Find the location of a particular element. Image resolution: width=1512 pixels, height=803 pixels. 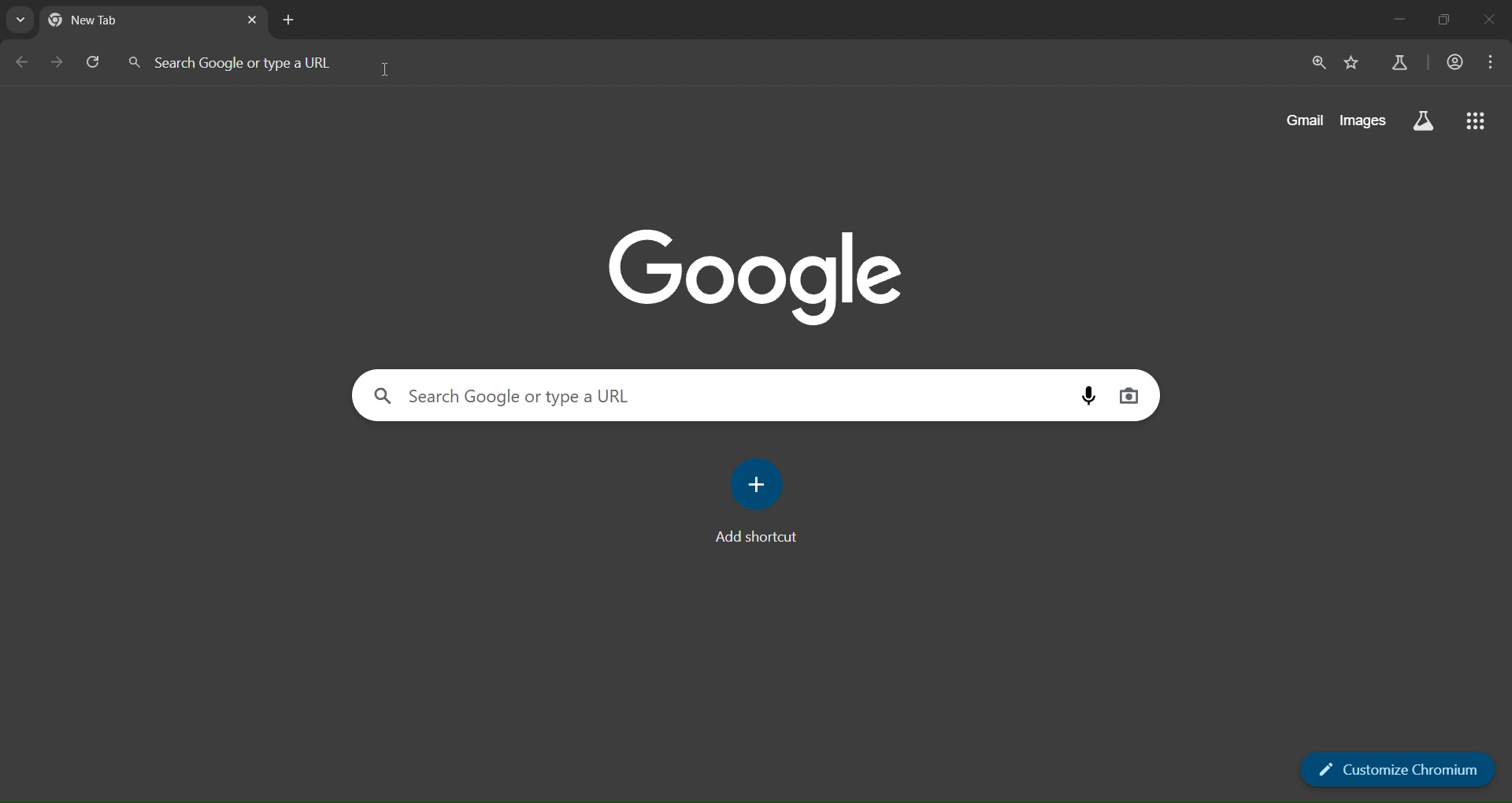

close is located at coordinates (1494, 20).